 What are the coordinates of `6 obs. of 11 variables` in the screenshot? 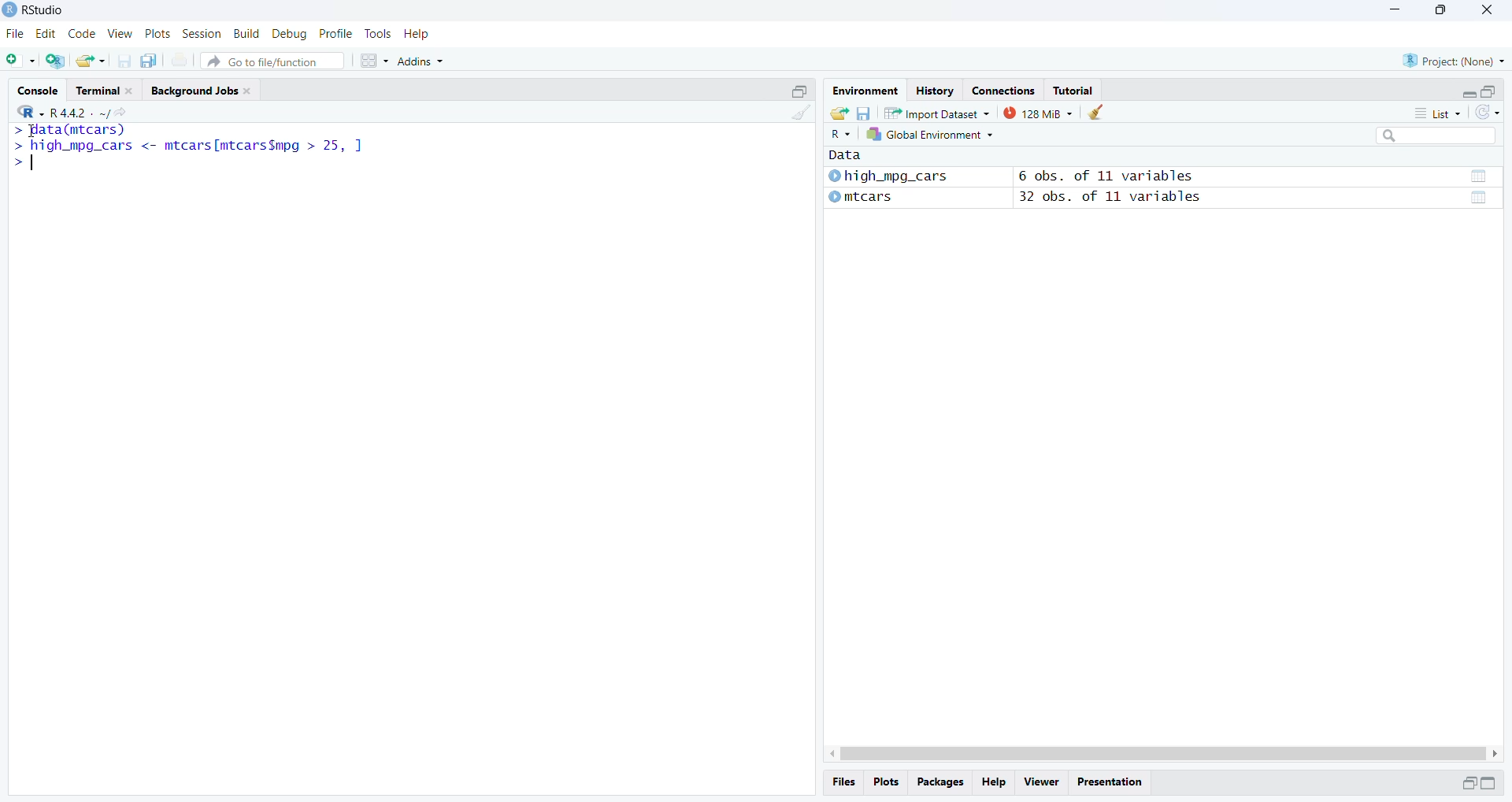 It's located at (1106, 176).